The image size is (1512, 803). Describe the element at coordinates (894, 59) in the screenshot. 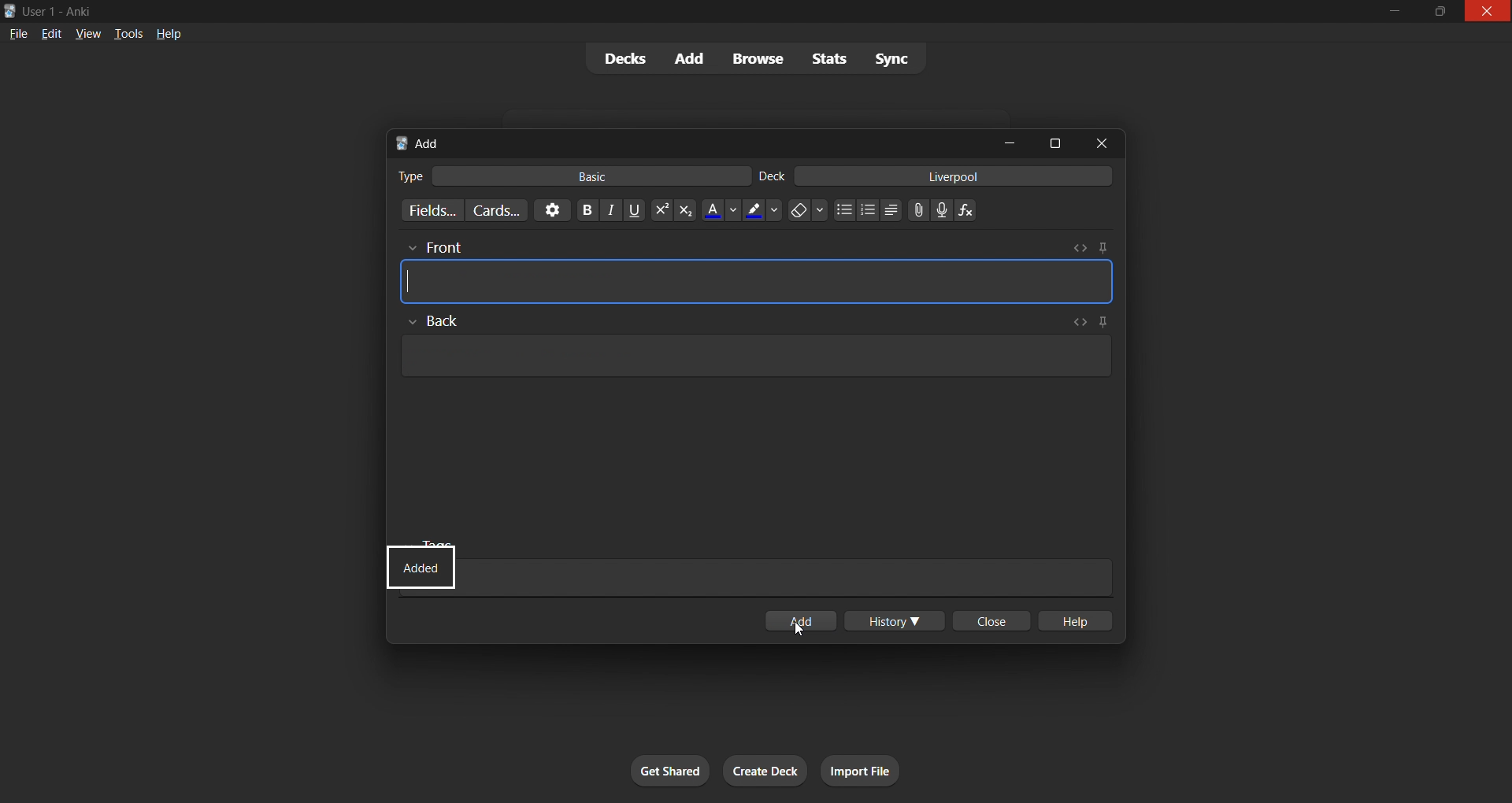

I see `sync` at that location.